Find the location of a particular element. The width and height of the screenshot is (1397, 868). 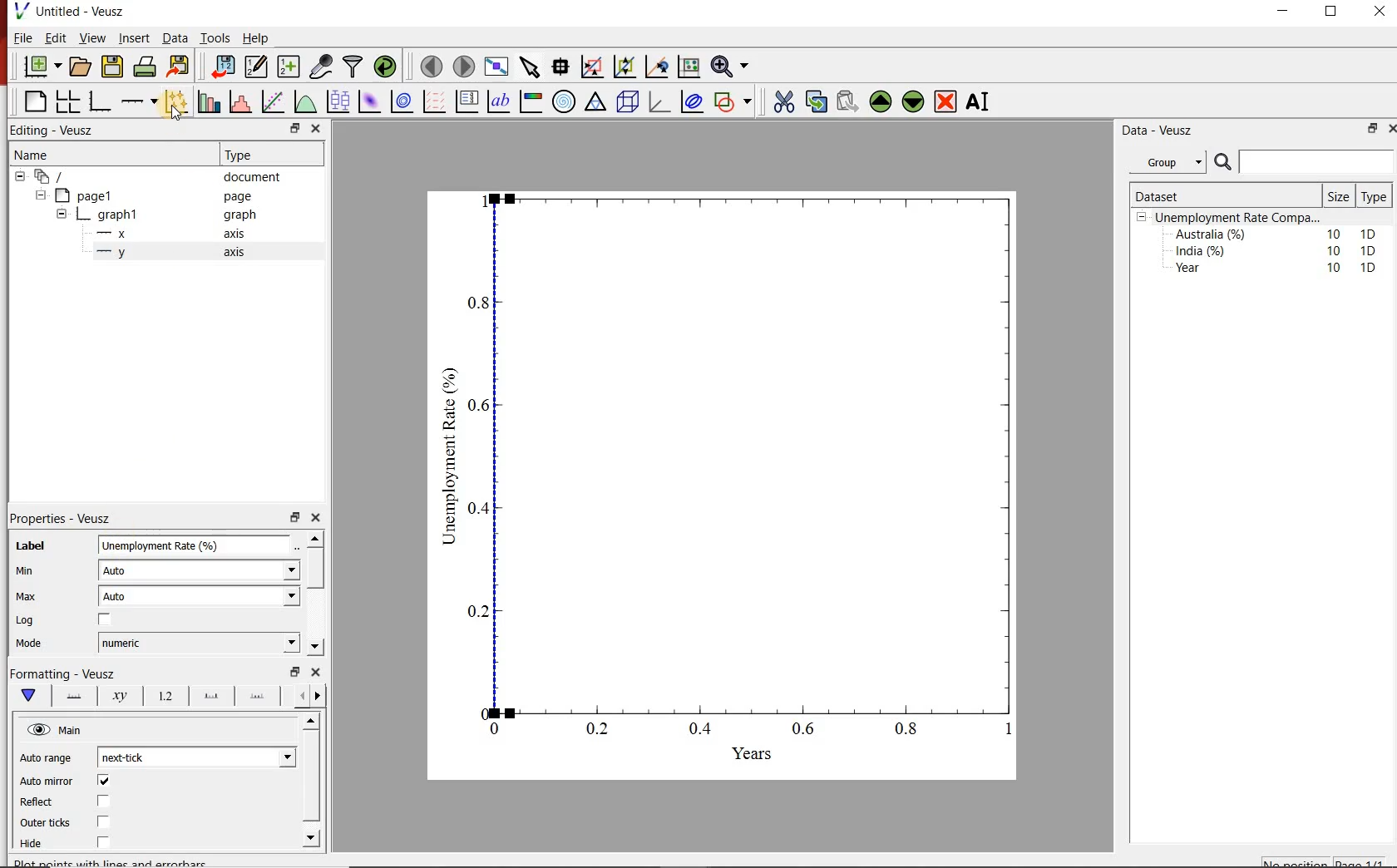

Reflect is located at coordinates (37, 803).